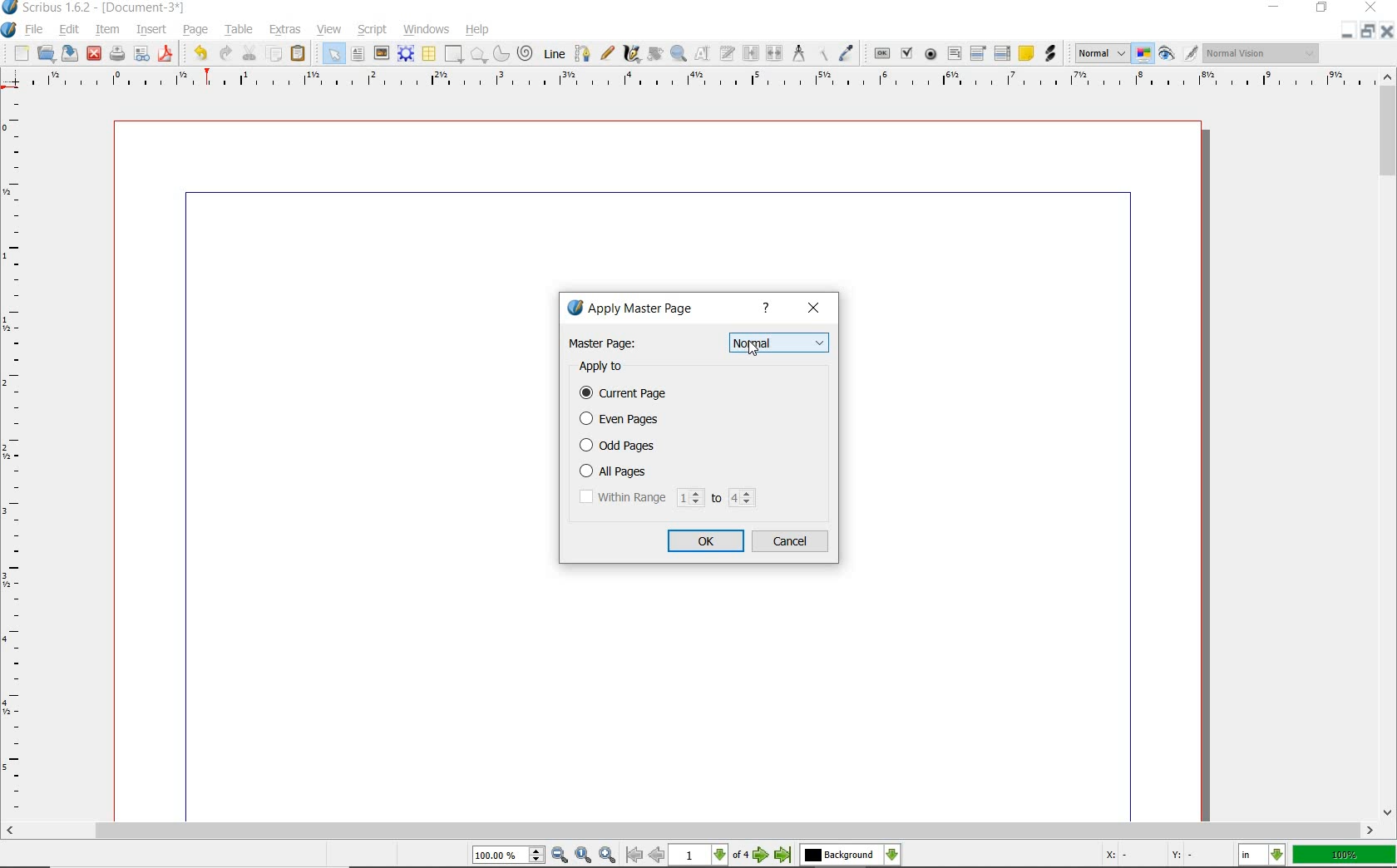  I want to click on preview mode, so click(1168, 53).